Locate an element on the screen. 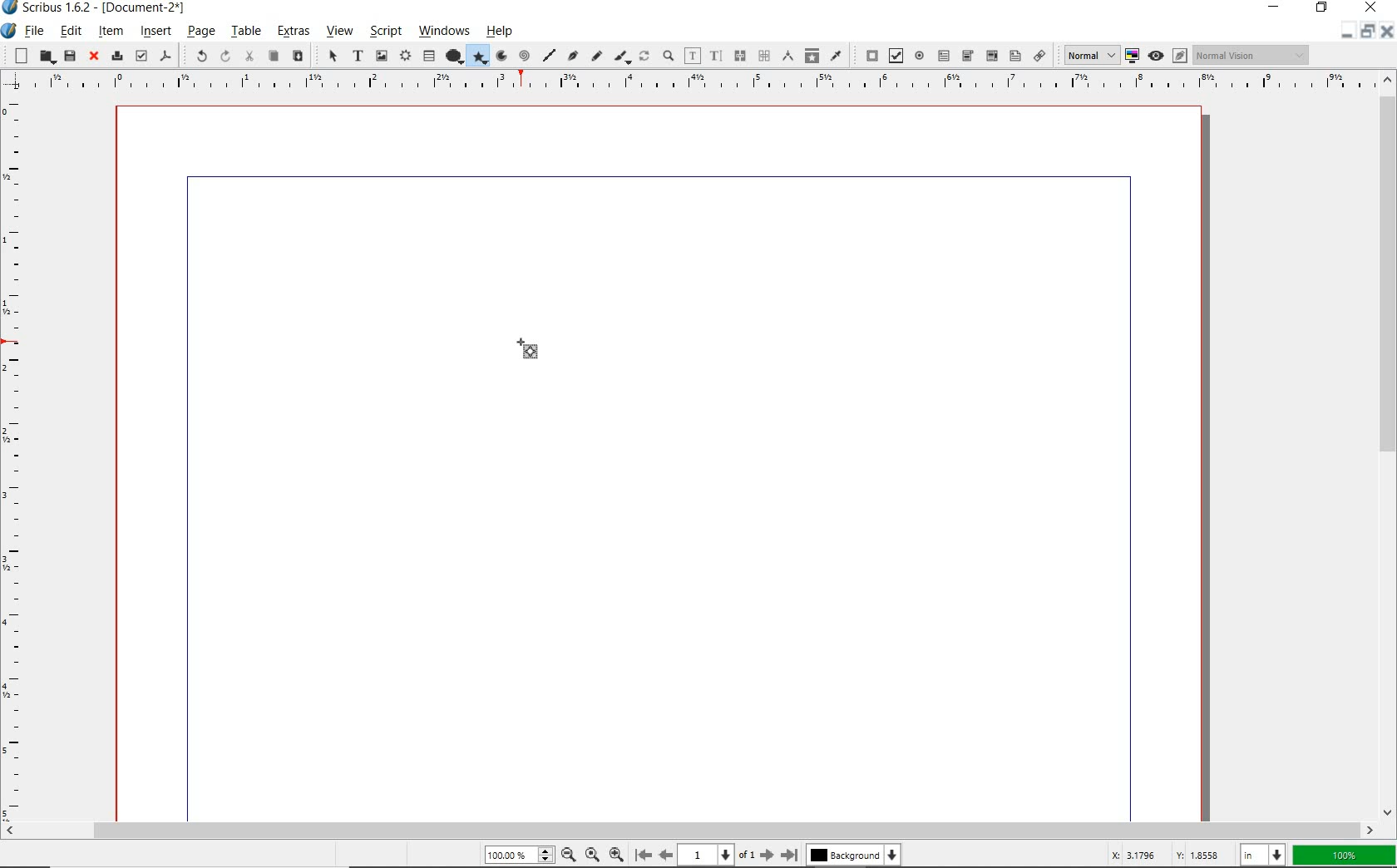  ruler is located at coordinates (698, 84).